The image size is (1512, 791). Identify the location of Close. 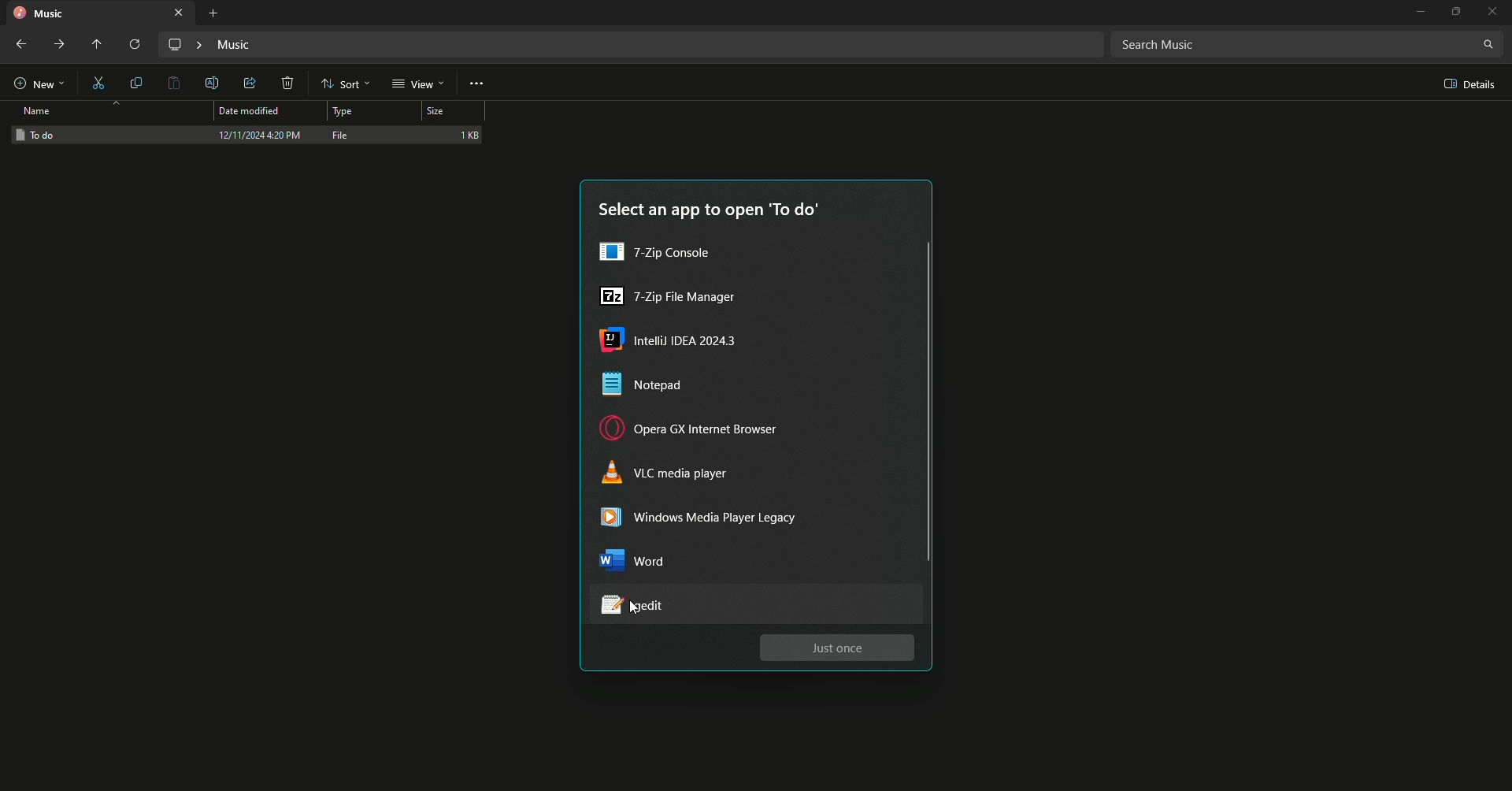
(1494, 12).